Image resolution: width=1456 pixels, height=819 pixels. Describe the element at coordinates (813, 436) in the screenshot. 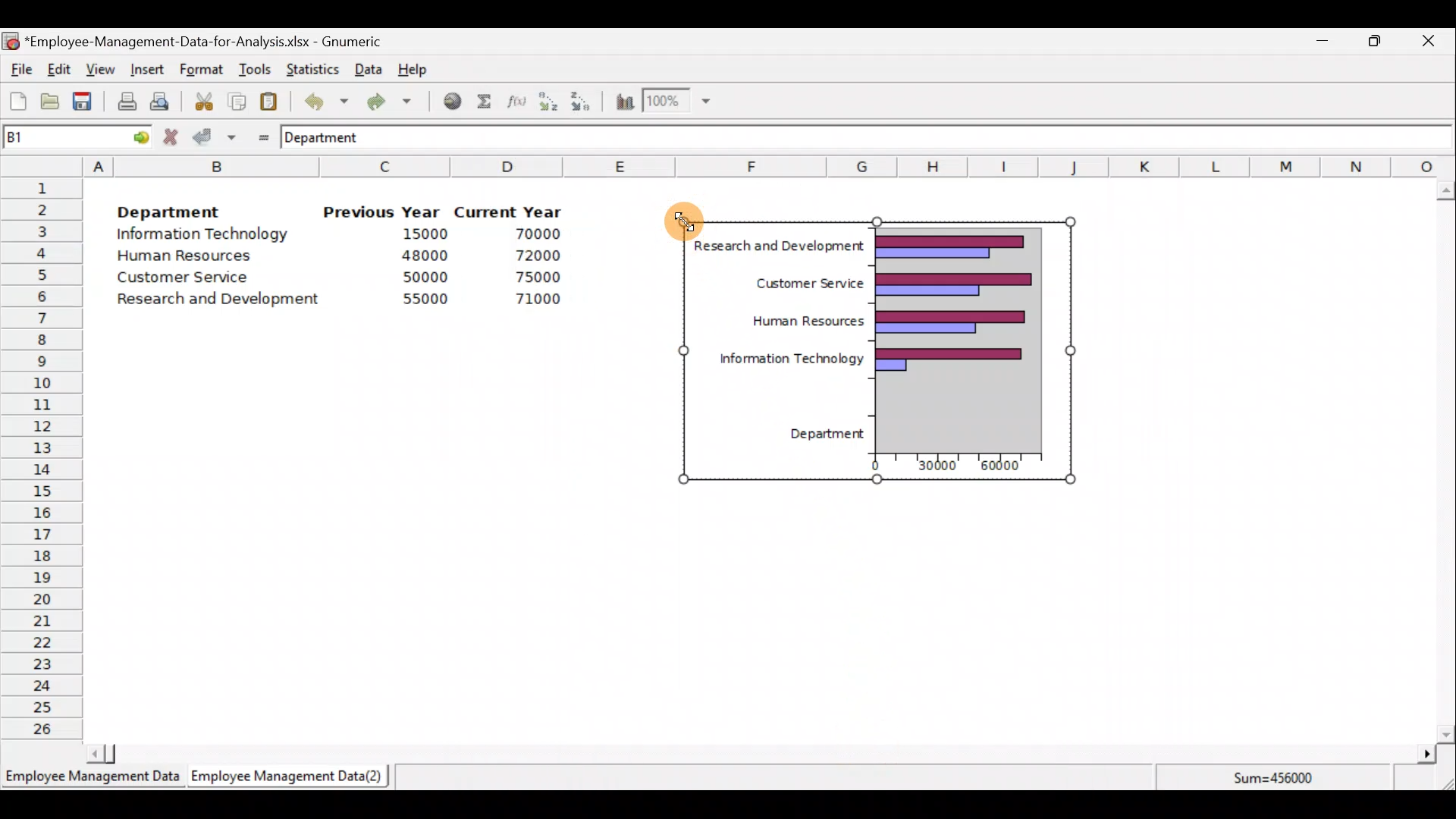

I see `Department` at that location.